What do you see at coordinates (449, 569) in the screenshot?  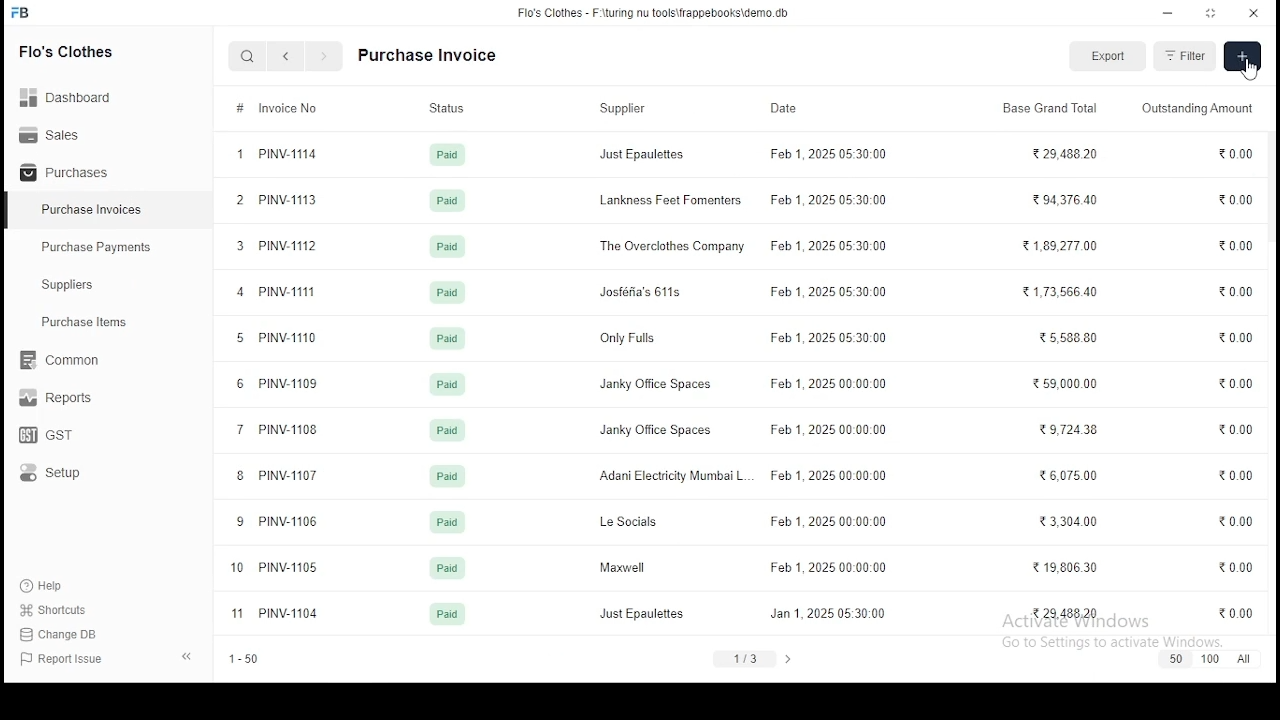 I see `paid` at bounding box center [449, 569].